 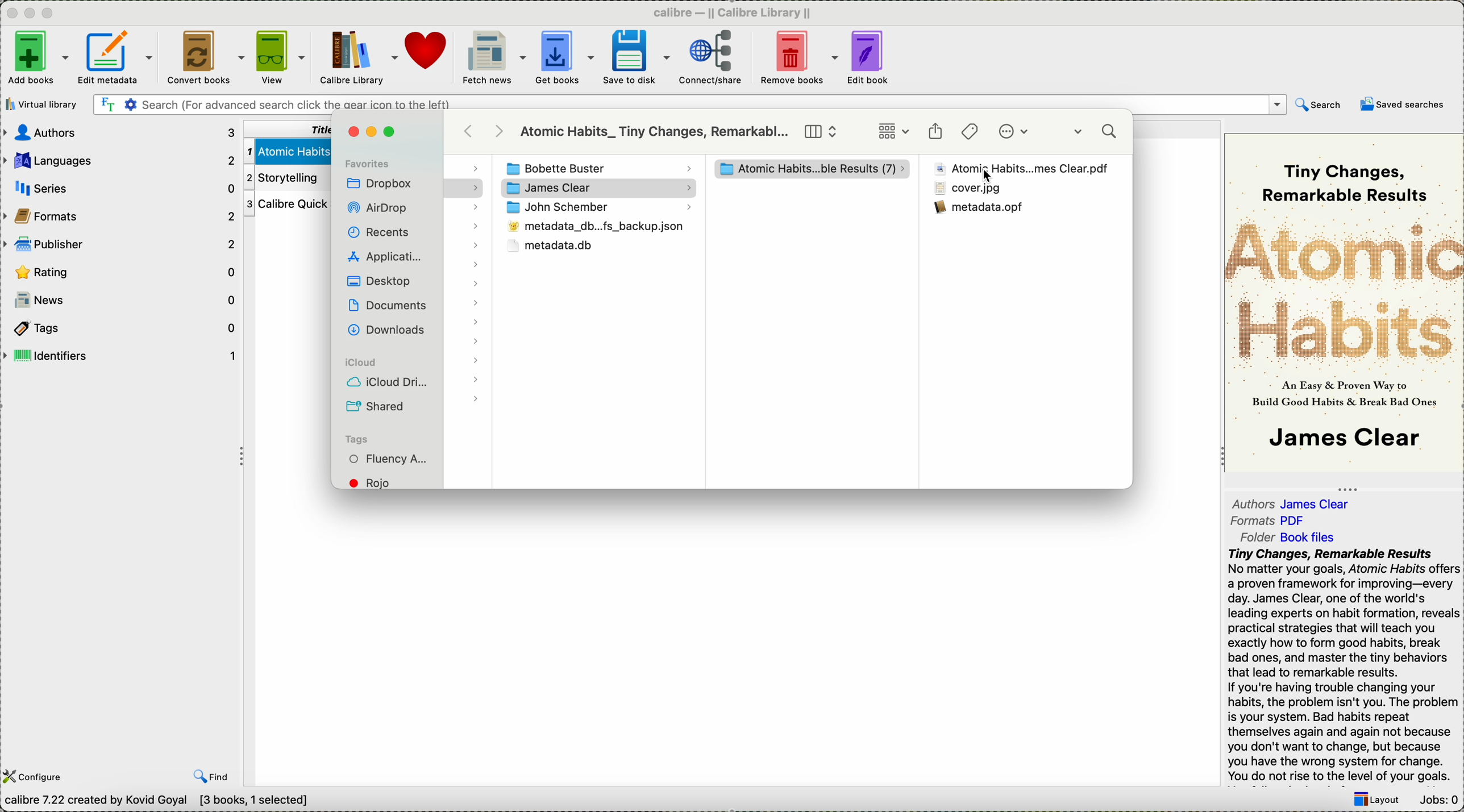 What do you see at coordinates (285, 128) in the screenshot?
I see `titlw` at bounding box center [285, 128].